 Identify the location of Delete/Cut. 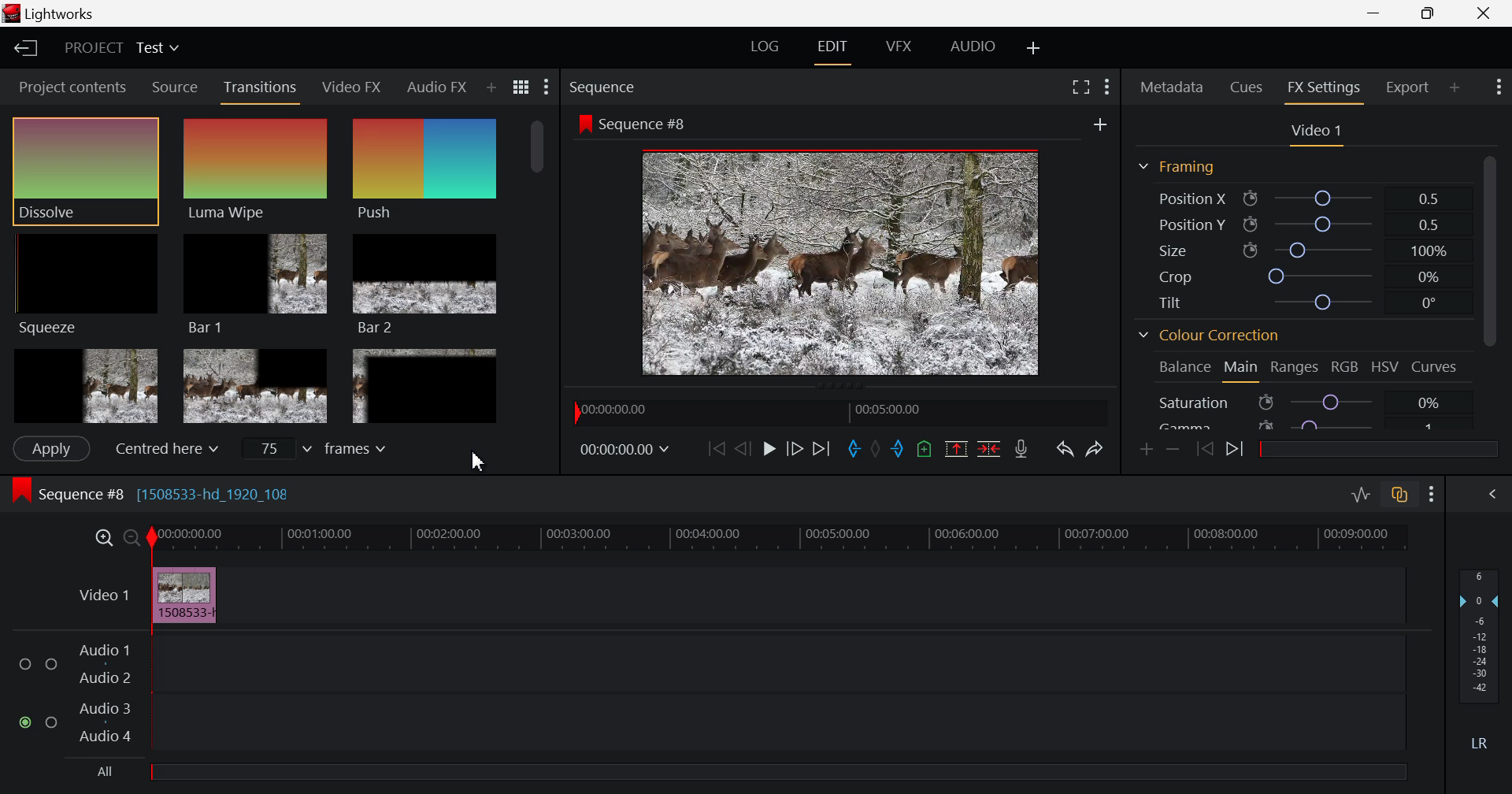
(991, 450).